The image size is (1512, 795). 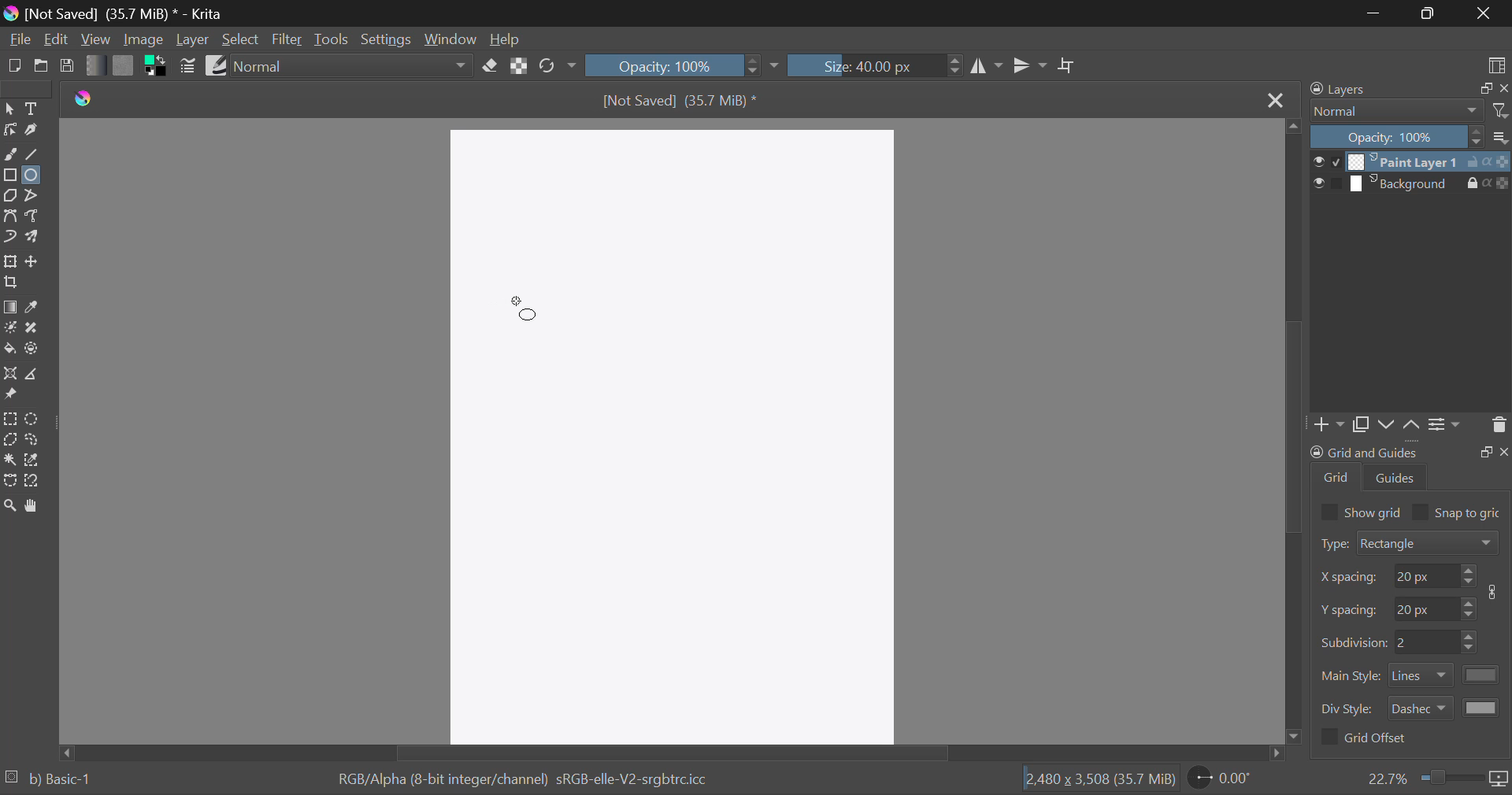 I want to click on Layer, so click(x=193, y=41).